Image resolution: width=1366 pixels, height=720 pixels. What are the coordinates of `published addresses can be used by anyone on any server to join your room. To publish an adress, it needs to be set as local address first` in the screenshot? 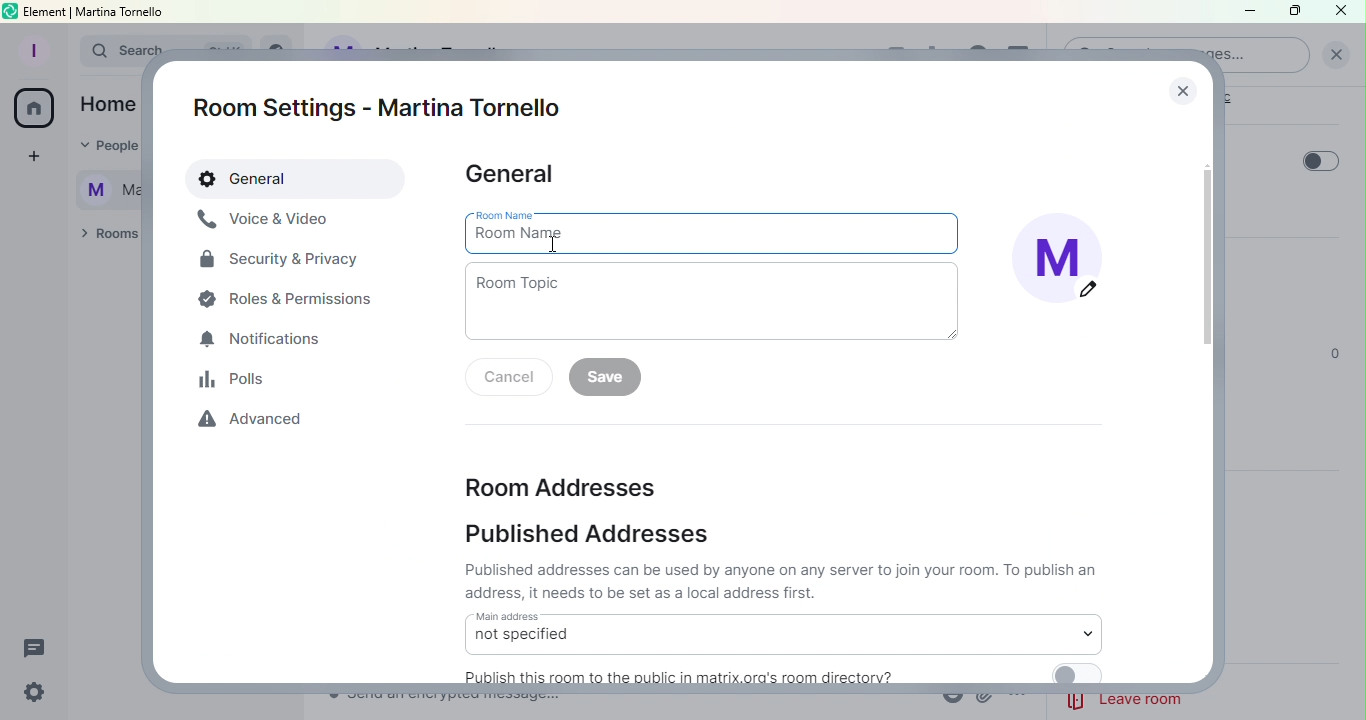 It's located at (784, 581).